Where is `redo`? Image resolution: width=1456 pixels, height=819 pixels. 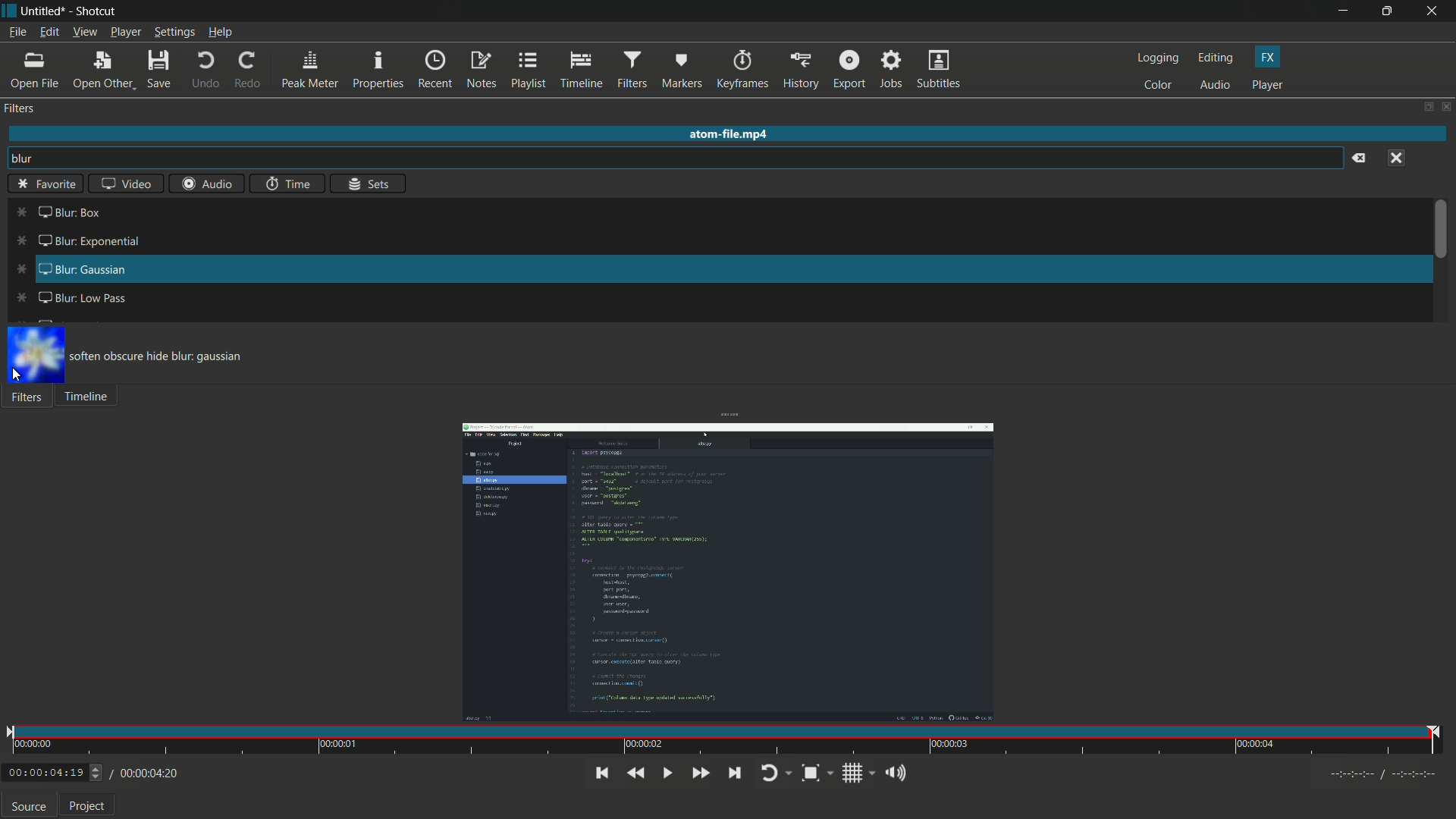
redo is located at coordinates (248, 70).